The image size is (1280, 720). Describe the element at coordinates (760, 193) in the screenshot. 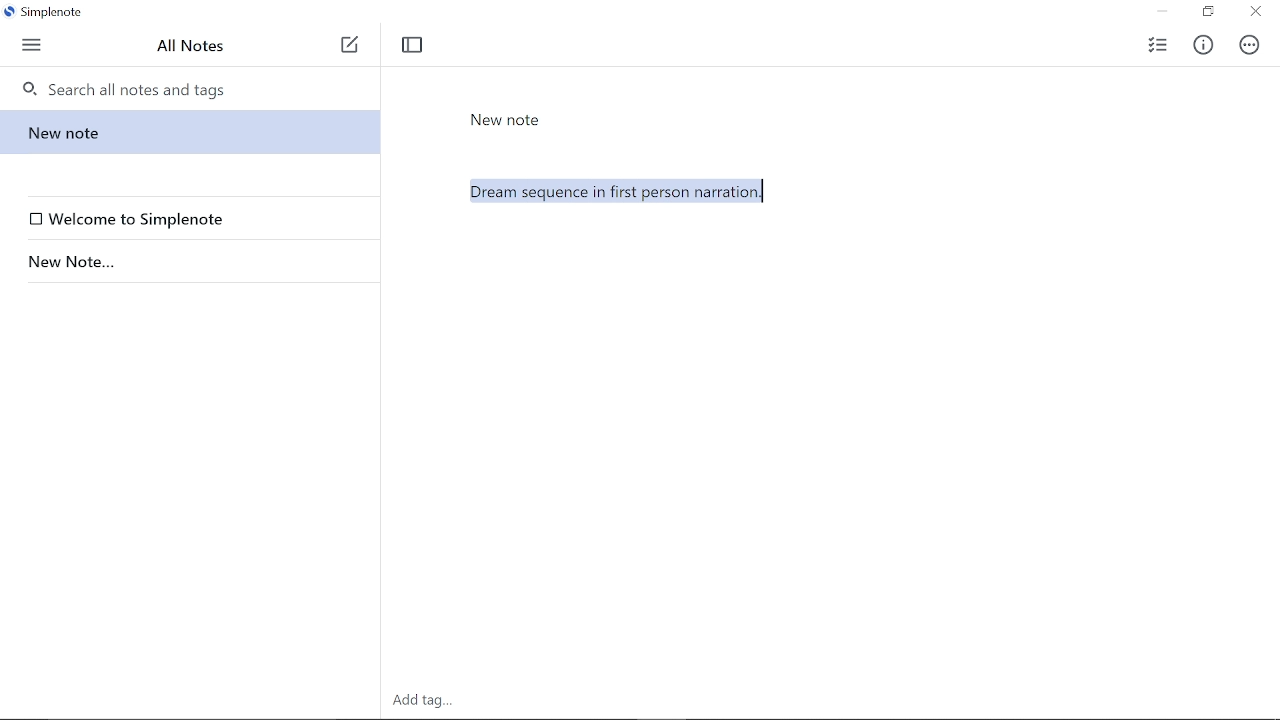

I see `Cursor` at that location.